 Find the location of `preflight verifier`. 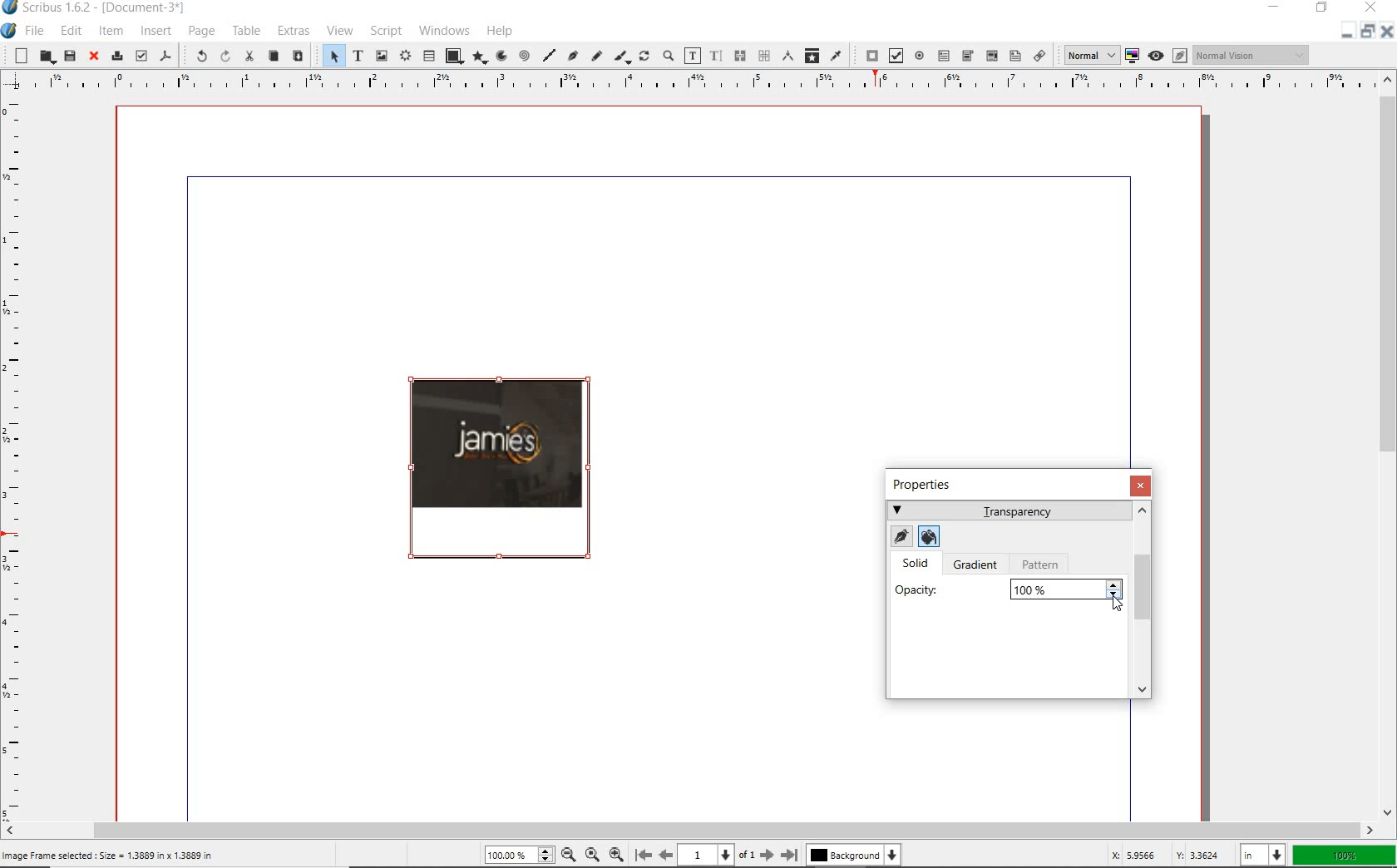

preflight verifier is located at coordinates (140, 55).